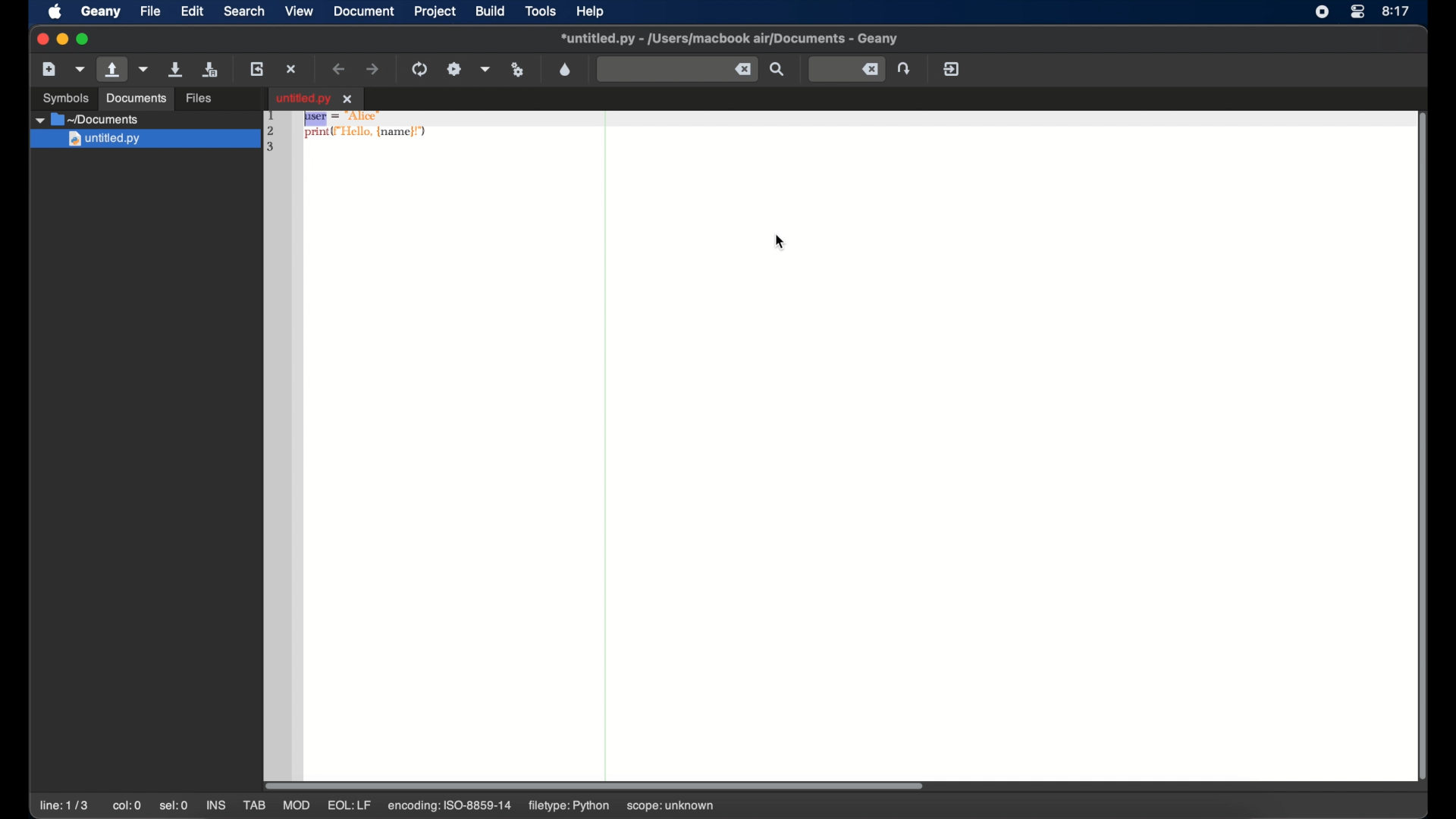  I want to click on line: 1/3, so click(64, 805).